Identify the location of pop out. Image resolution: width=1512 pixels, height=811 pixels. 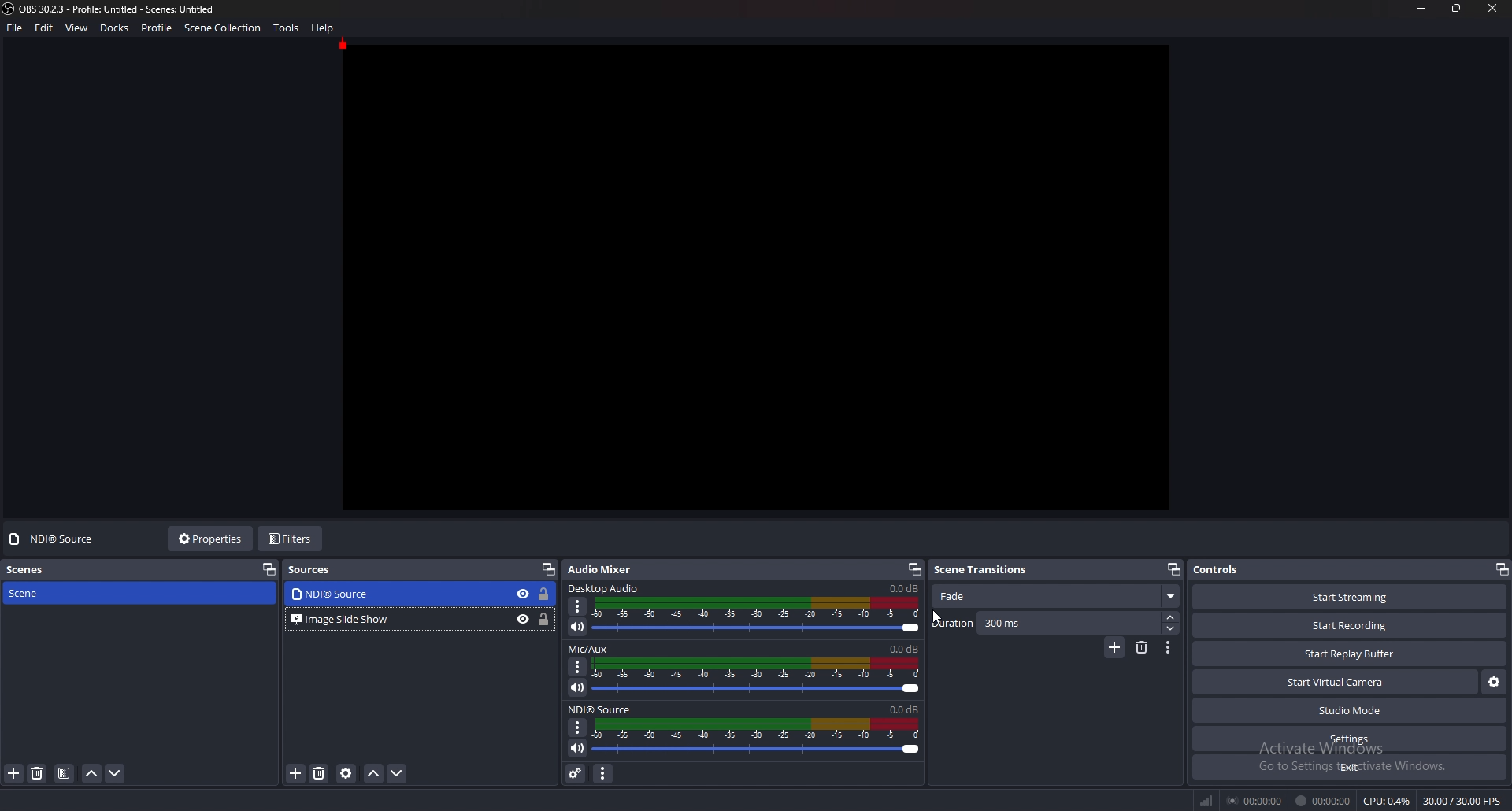
(548, 569).